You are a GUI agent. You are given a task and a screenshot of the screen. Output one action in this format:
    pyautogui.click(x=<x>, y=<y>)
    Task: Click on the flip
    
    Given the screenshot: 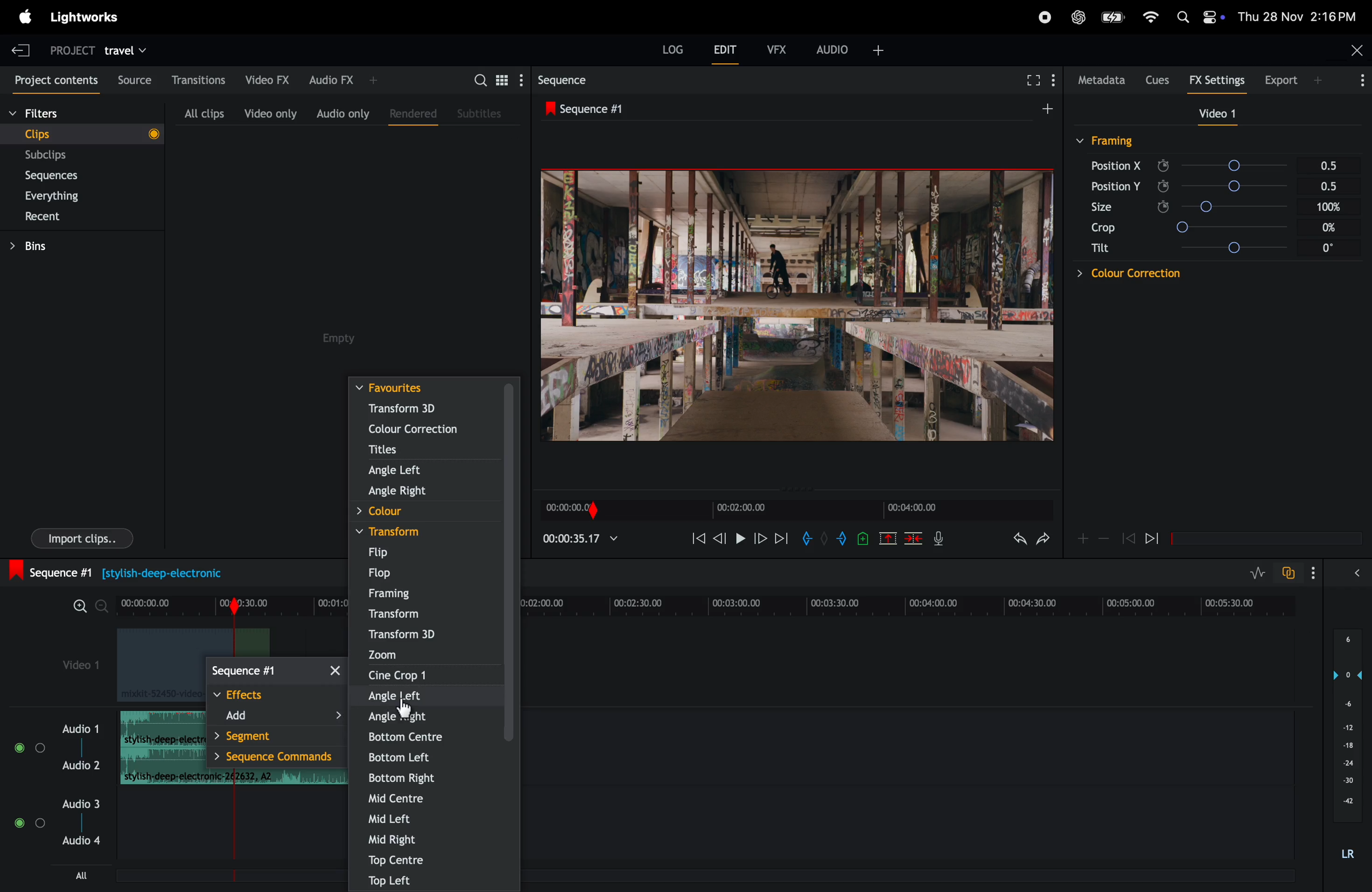 What is the action you would take?
    pyautogui.click(x=423, y=553)
    